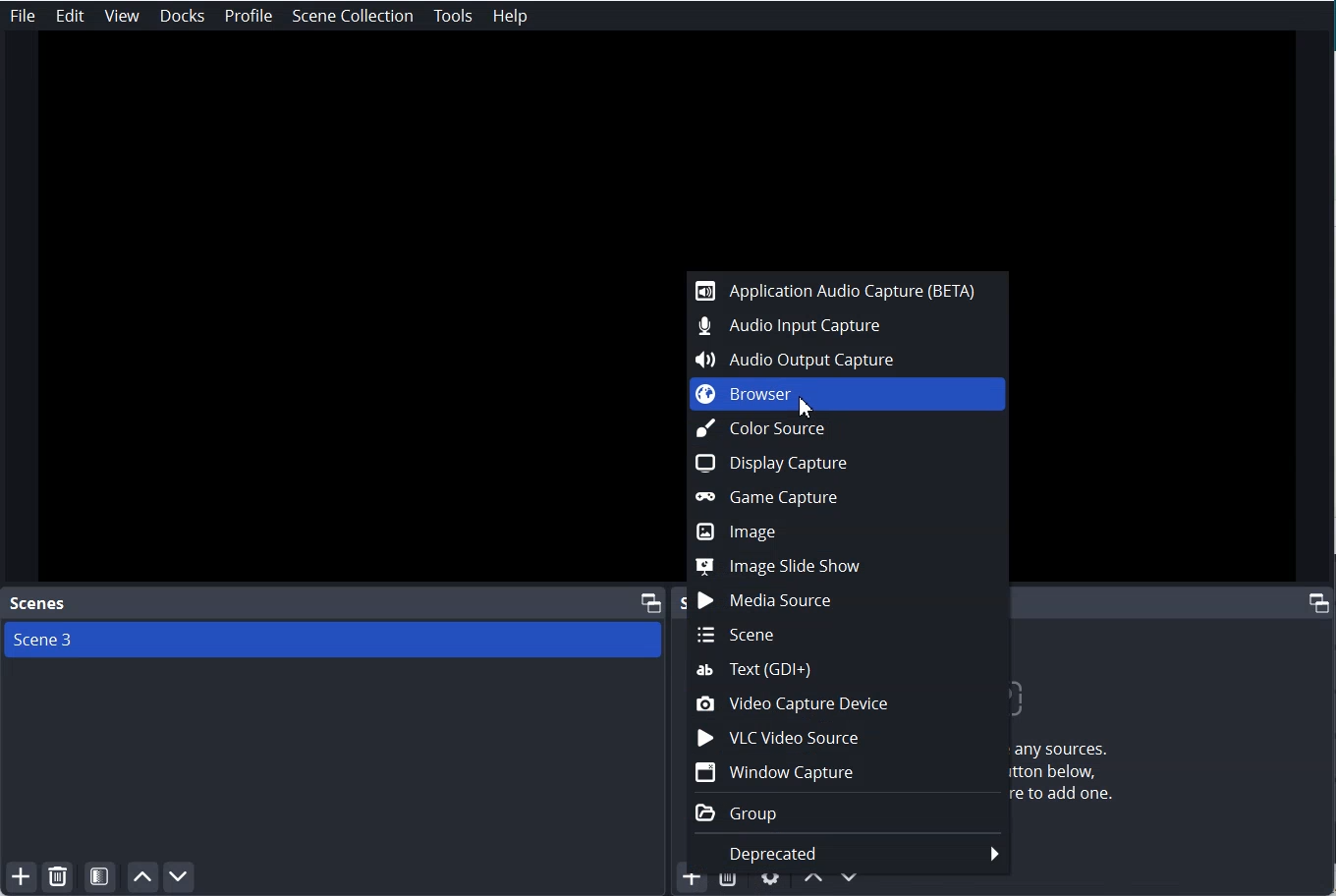 This screenshot has width=1336, height=896. Describe the element at coordinates (848, 855) in the screenshot. I see `Deprecated` at that location.